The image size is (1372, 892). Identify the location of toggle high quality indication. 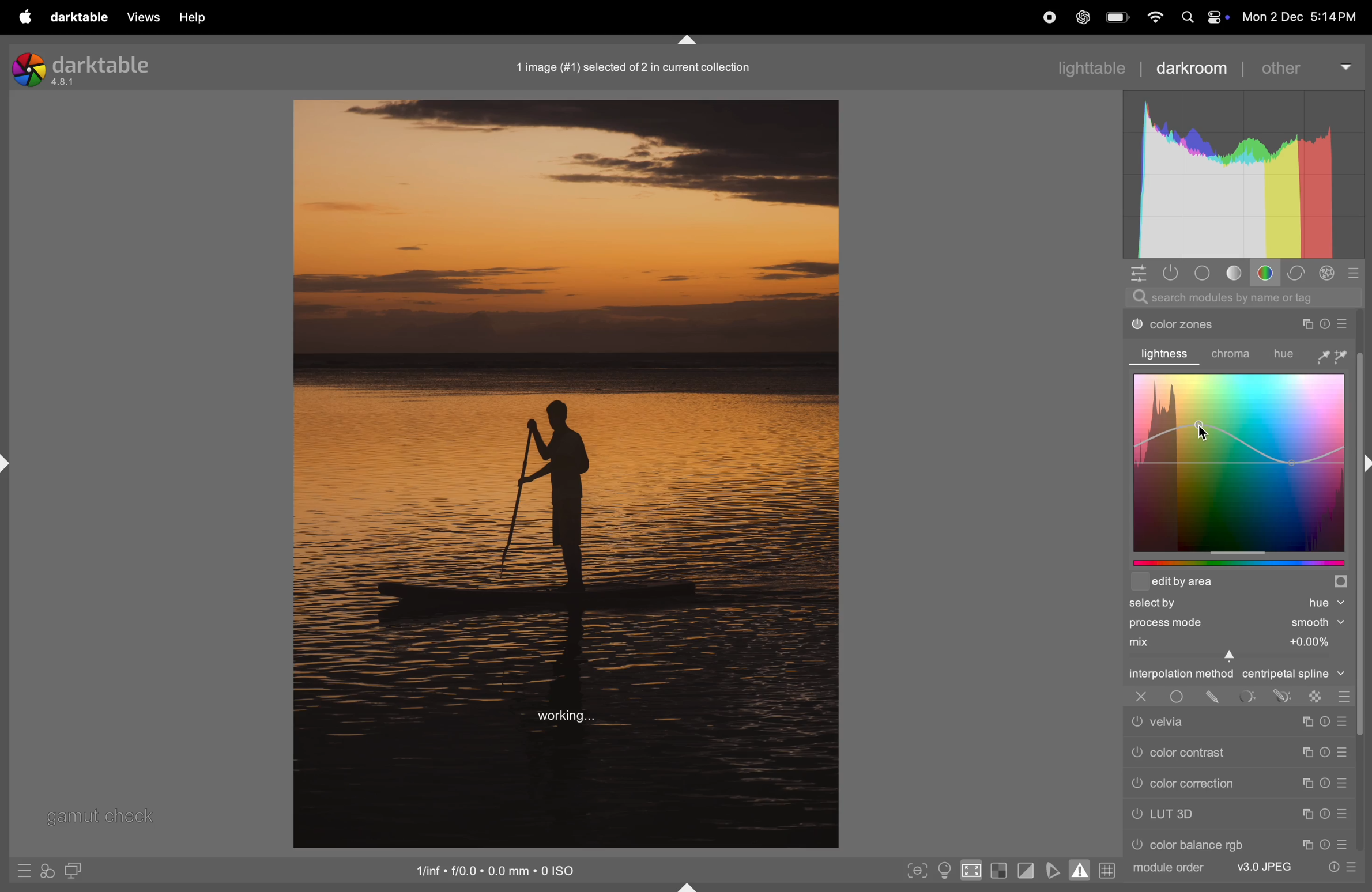
(971, 871).